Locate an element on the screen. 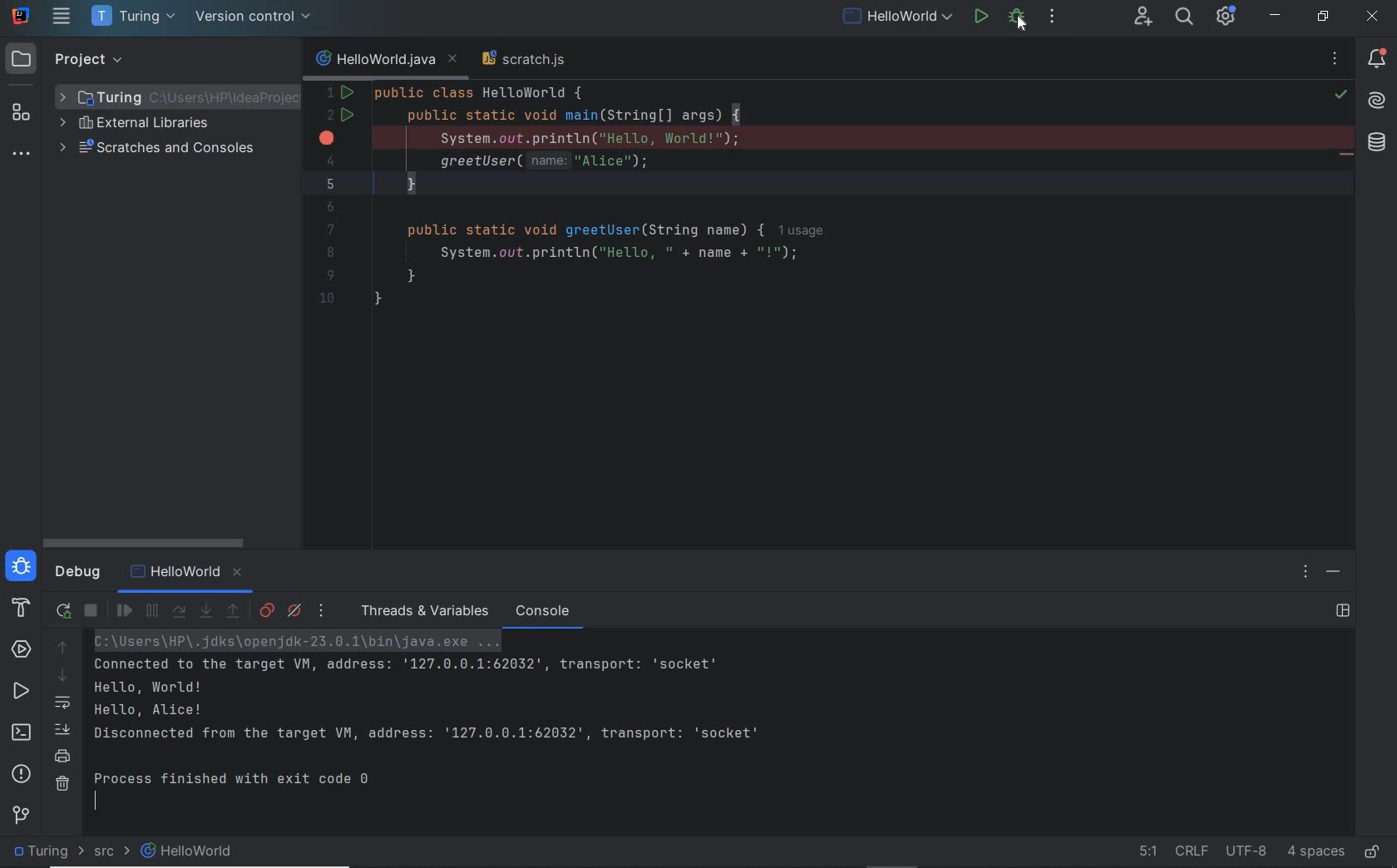 This screenshot has width=1397, height=868. more tool windows is located at coordinates (19, 155).